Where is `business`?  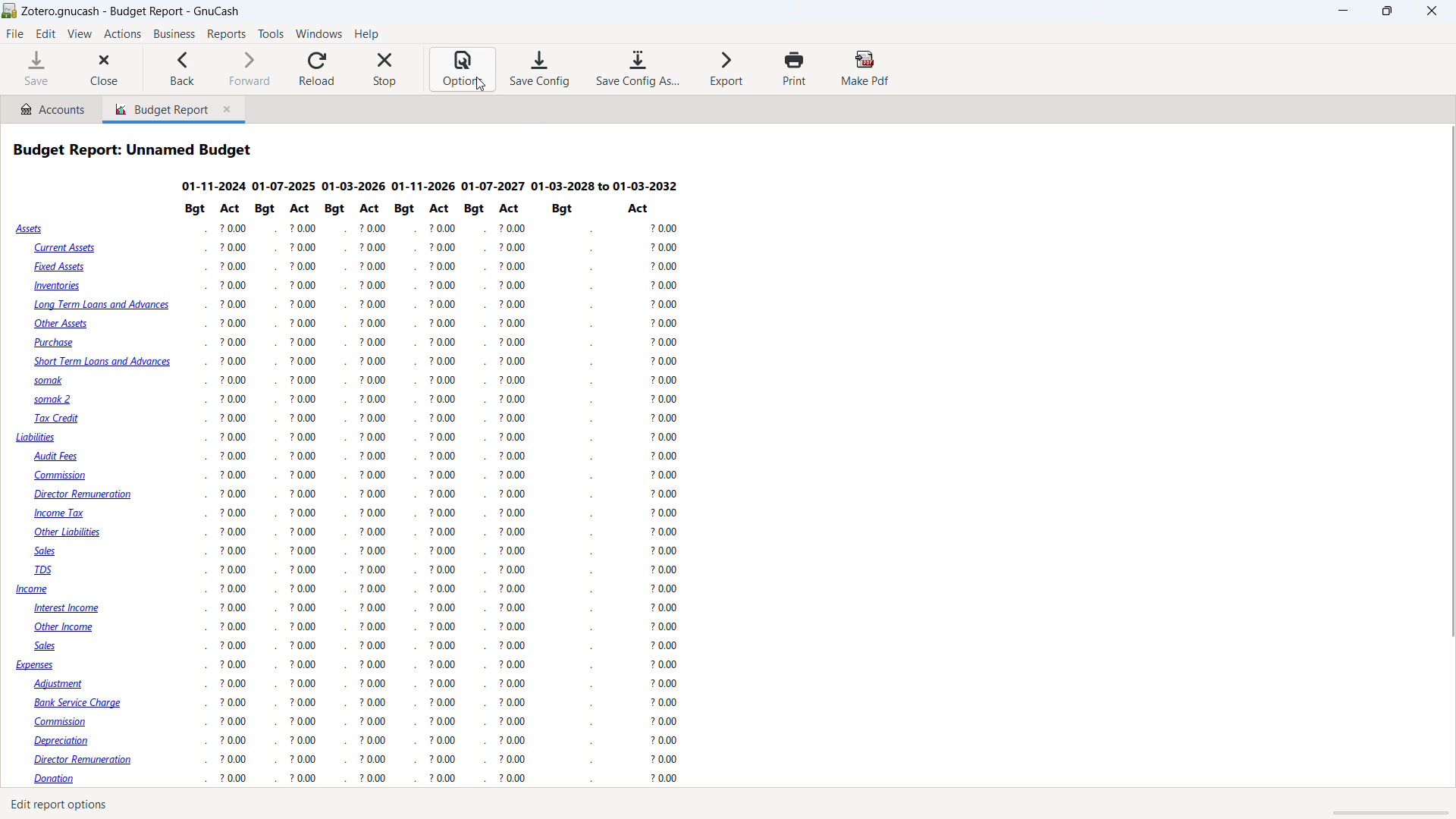
business is located at coordinates (174, 34).